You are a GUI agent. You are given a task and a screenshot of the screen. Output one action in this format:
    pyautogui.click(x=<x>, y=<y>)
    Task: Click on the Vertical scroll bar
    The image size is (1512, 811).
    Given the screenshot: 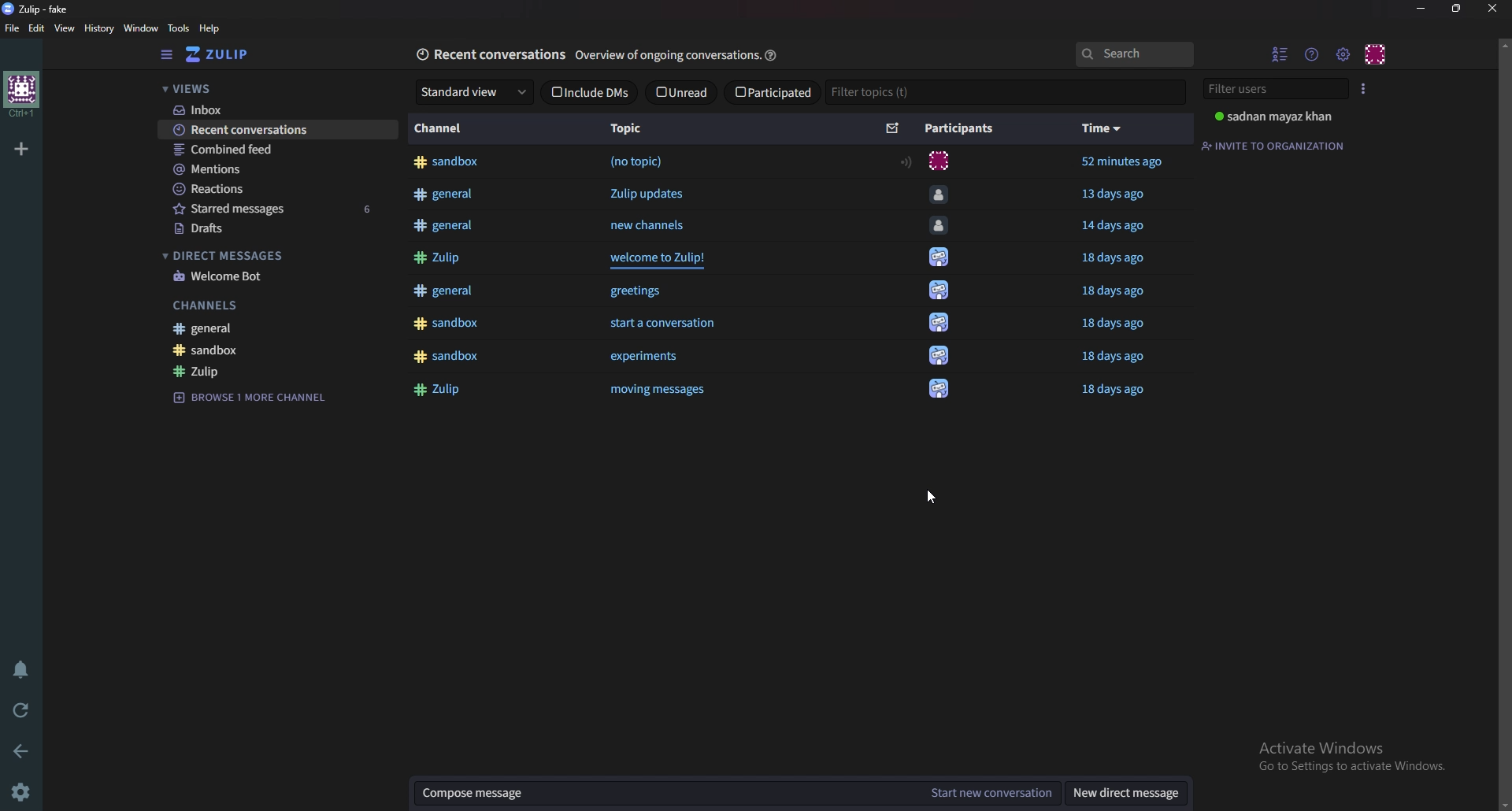 What is the action you would take?
    pyautogui.click(x=1504, y=424)
    